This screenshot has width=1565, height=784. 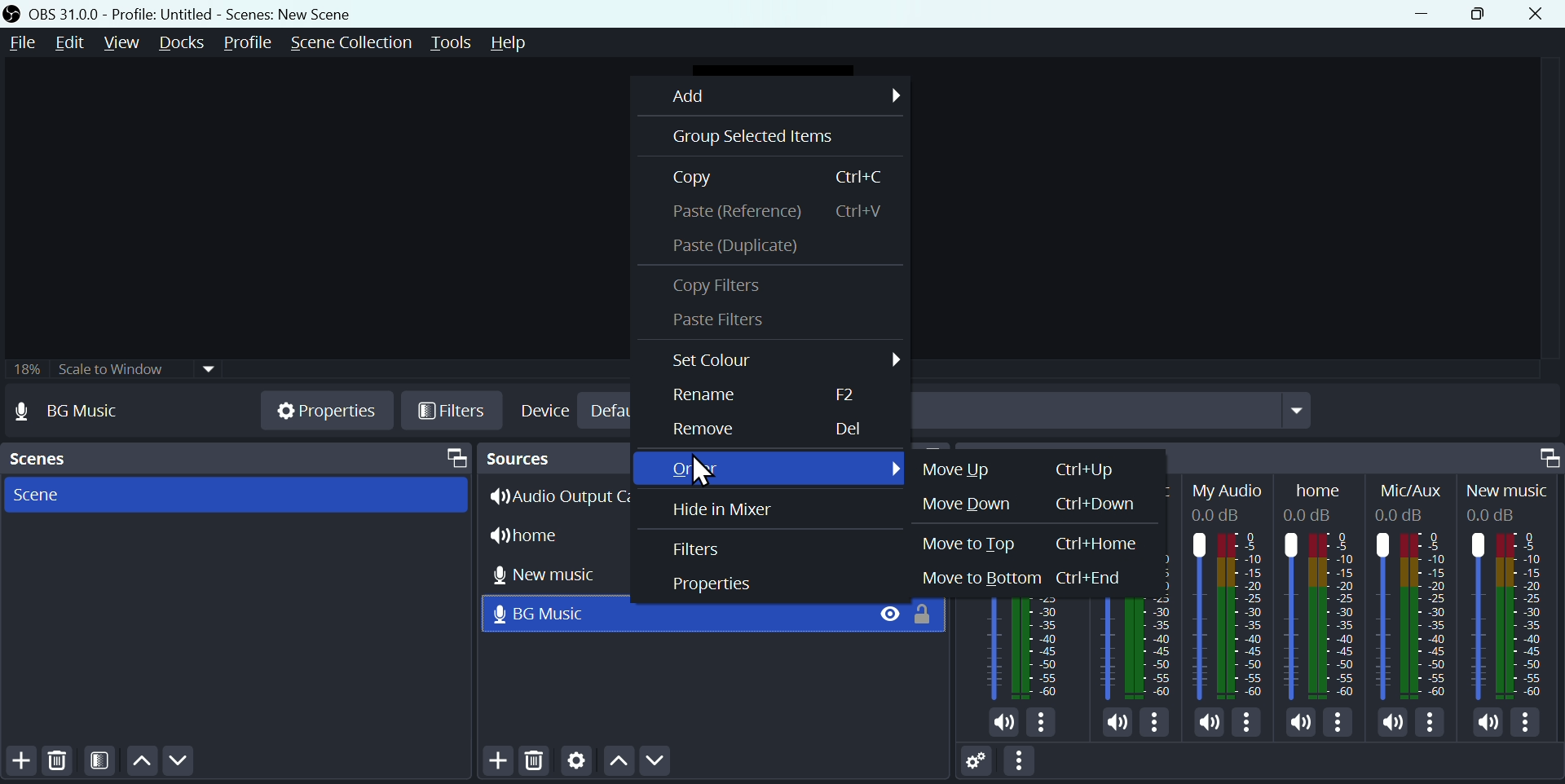 I want to click on Scene collection, so click(x=355, y=42).